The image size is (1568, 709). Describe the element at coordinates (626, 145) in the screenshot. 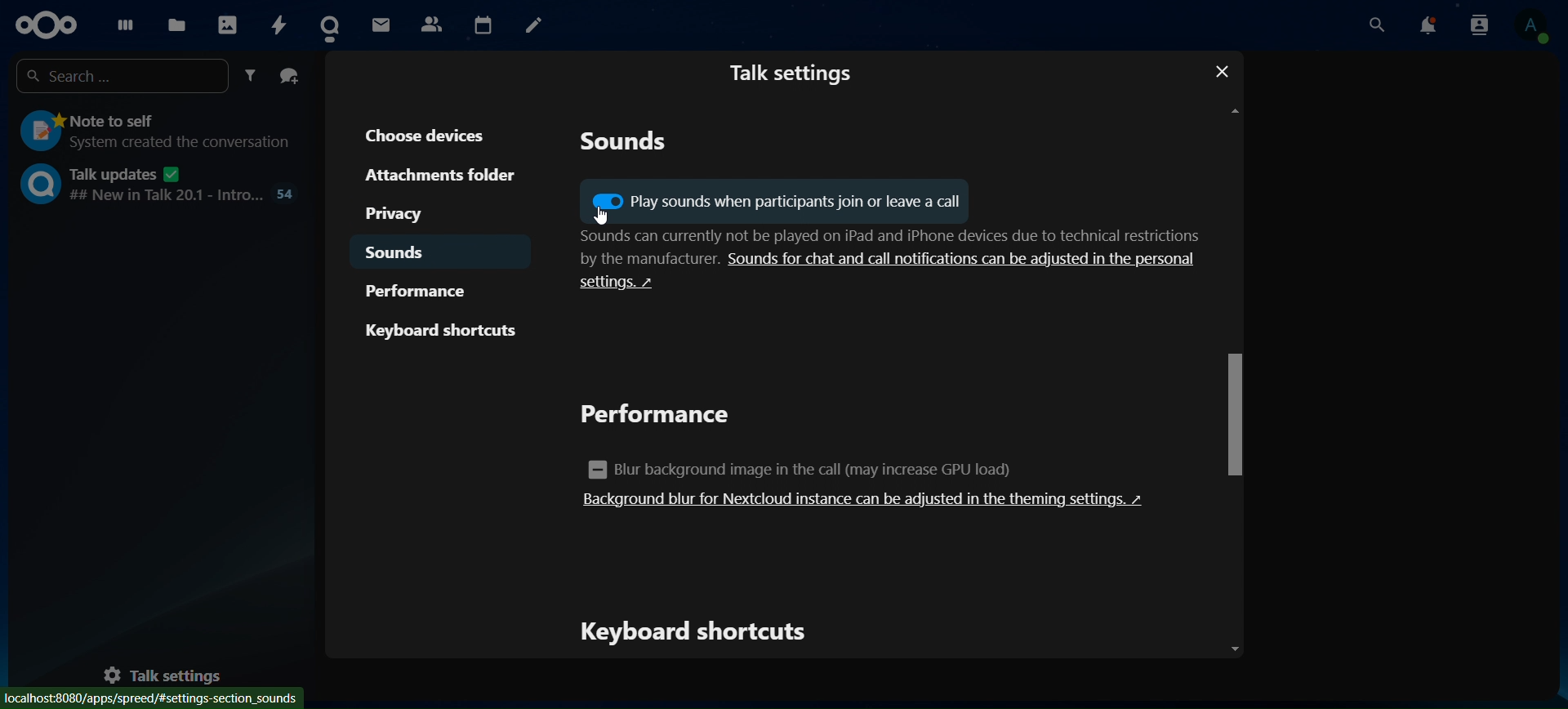

I see `sounds` at that location.